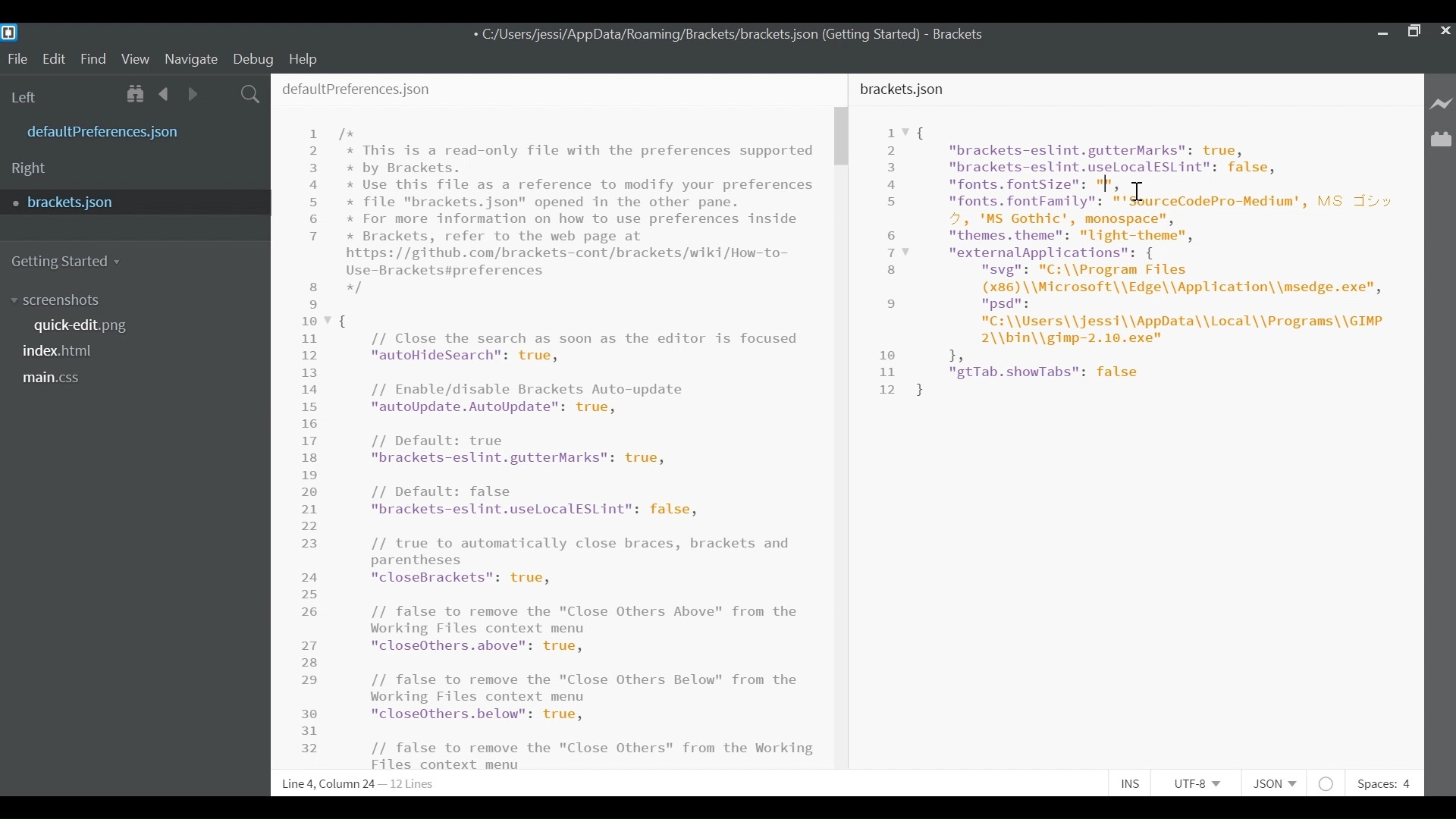  What do you see at coordinates (1382, 784) in the screenshot?
I see `Spaces` at bounding box center [1382, 784].